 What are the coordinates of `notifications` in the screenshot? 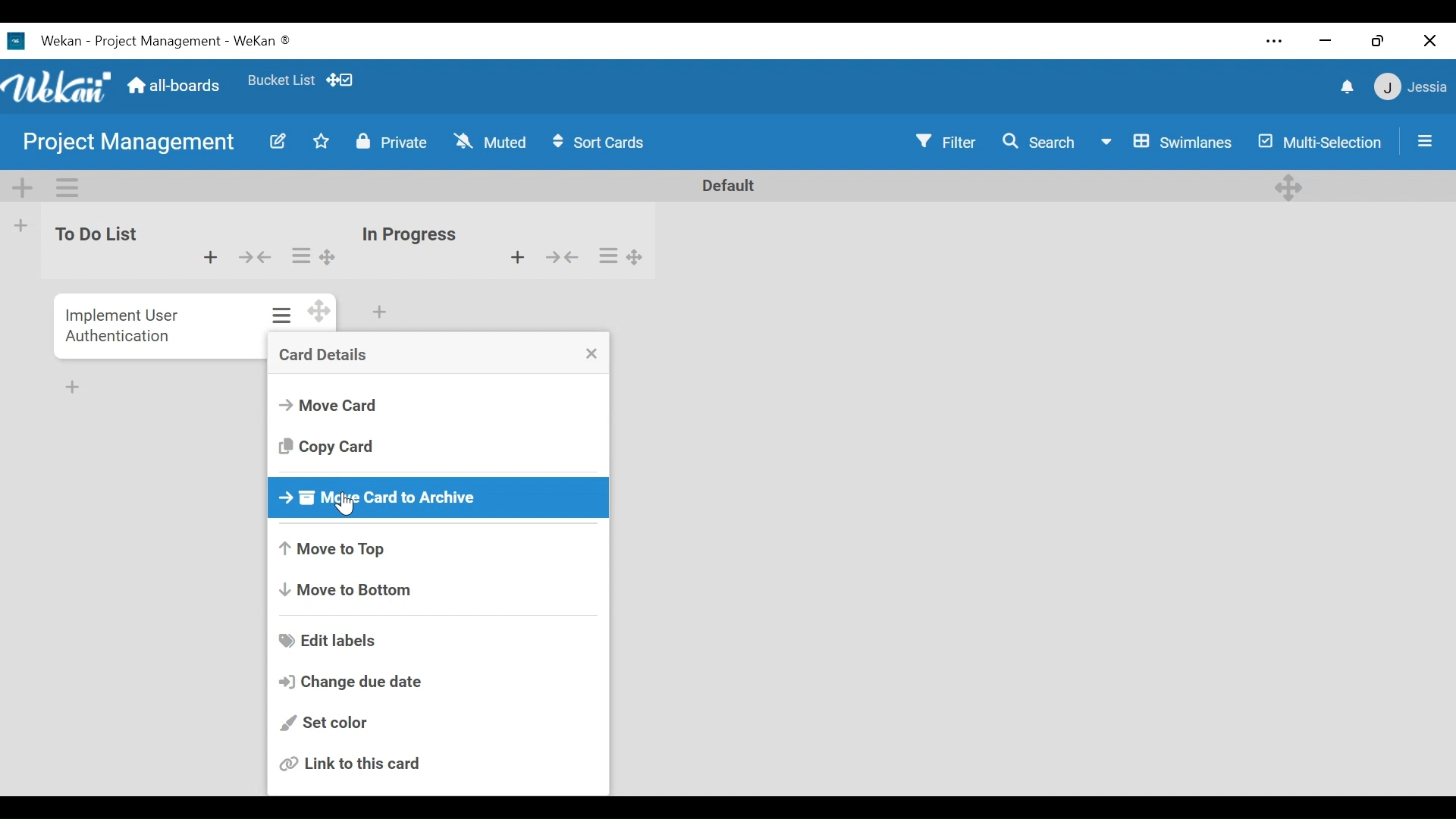 It's located at (1345, 88).